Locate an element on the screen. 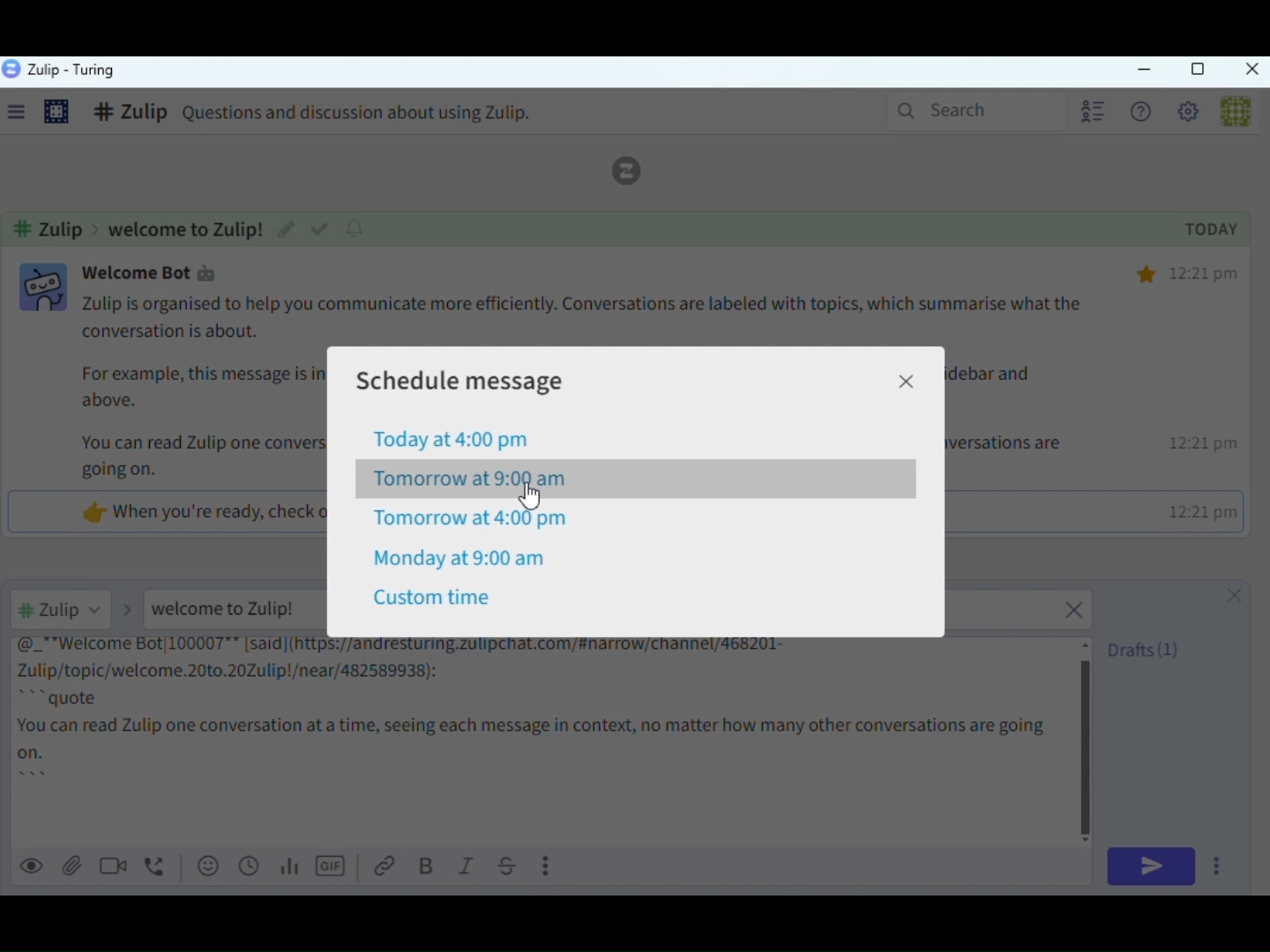 The height and width of the screenshot is (952, 1270). Video Call is located at coordinates (118, 865).